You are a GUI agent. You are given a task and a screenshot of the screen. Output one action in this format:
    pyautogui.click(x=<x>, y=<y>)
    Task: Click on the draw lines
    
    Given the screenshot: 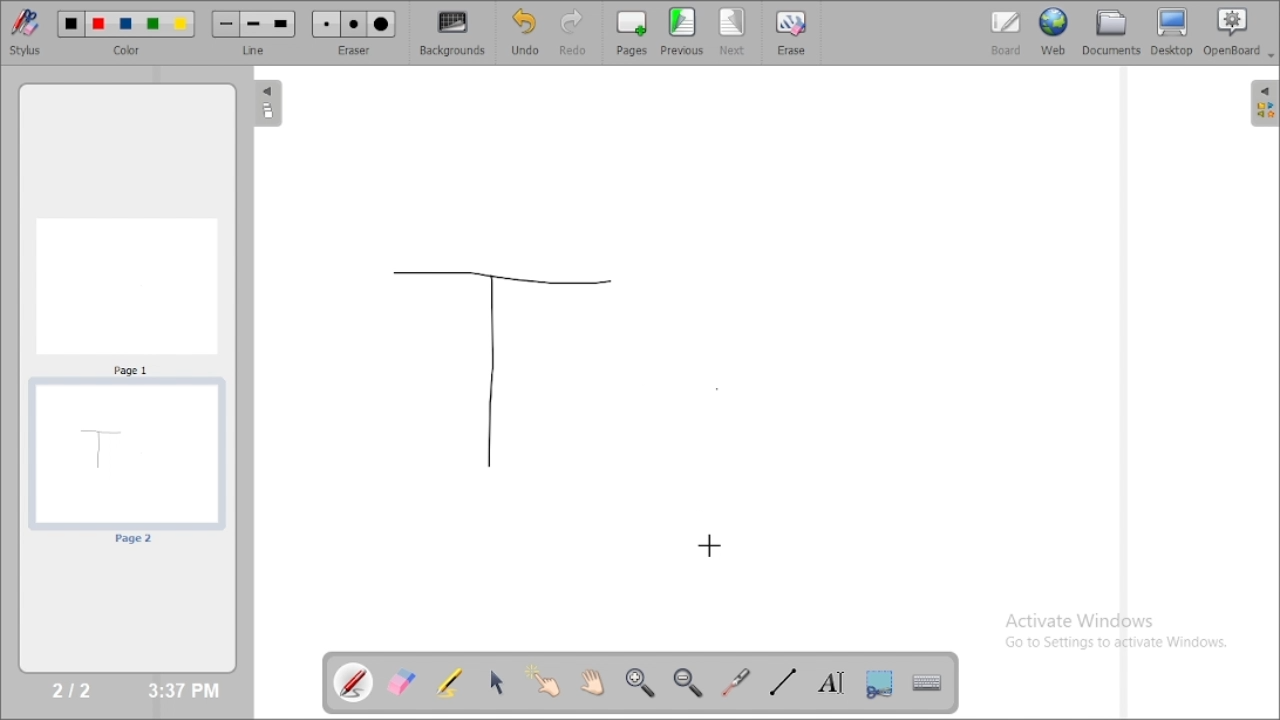 What is the action you would take?
    pyautogui.click(x=782, y=681)
    